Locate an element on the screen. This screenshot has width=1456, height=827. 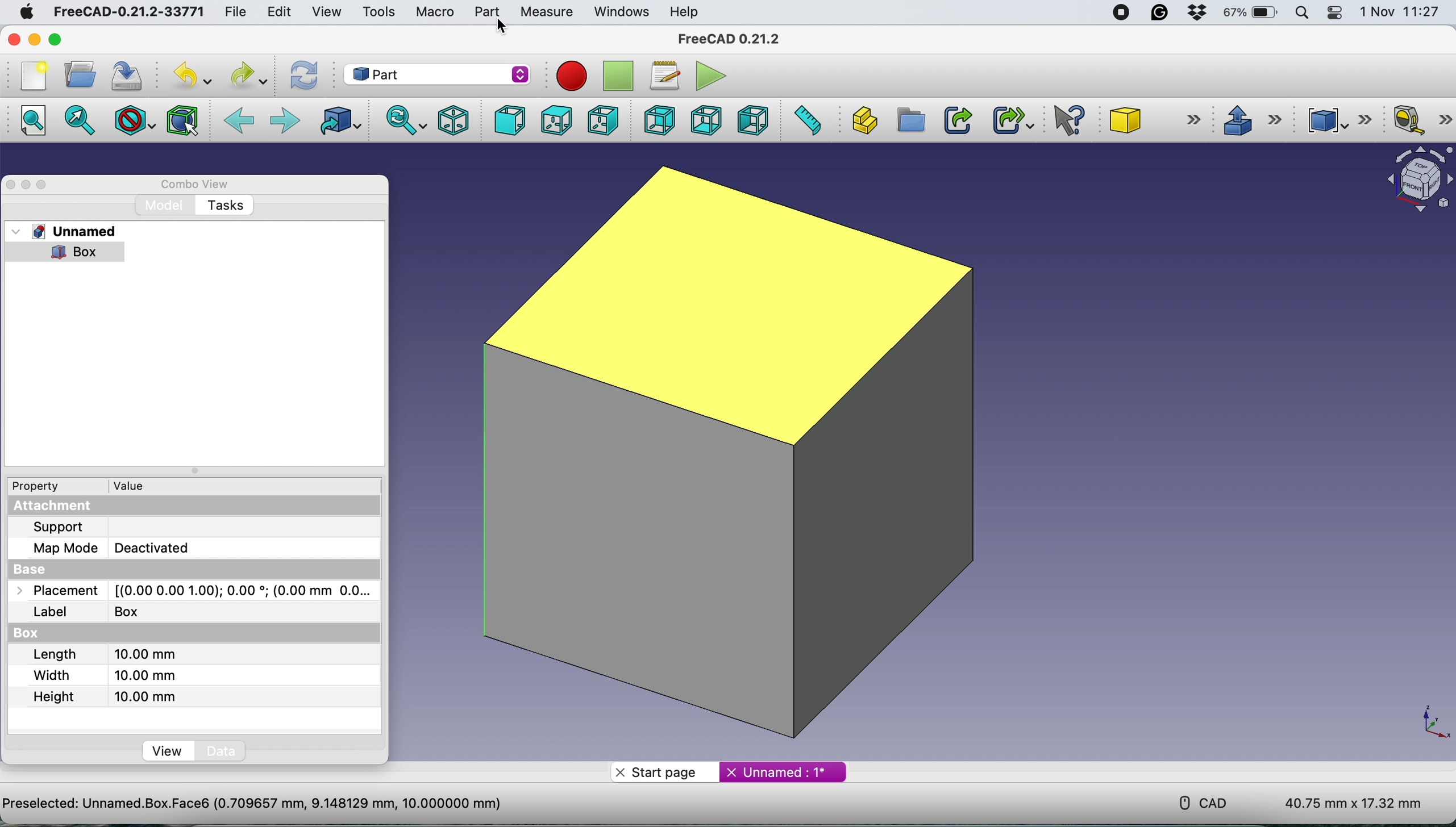
project name - Preselected: Unnamed.Box.Face6 (0.709657 mm, 9.148129 mm, 10.000000 mm) is located at coordinates (251, 804).